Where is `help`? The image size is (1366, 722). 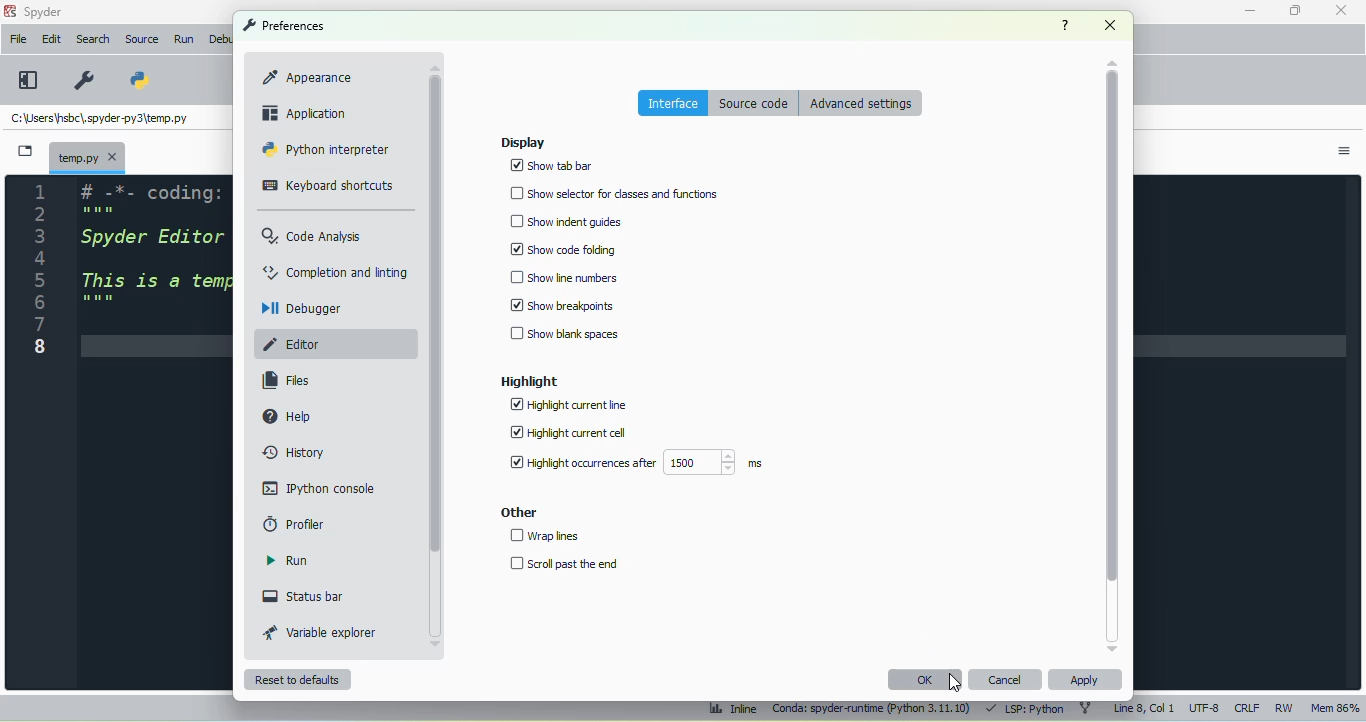
help is located at coordinates (289, 415).